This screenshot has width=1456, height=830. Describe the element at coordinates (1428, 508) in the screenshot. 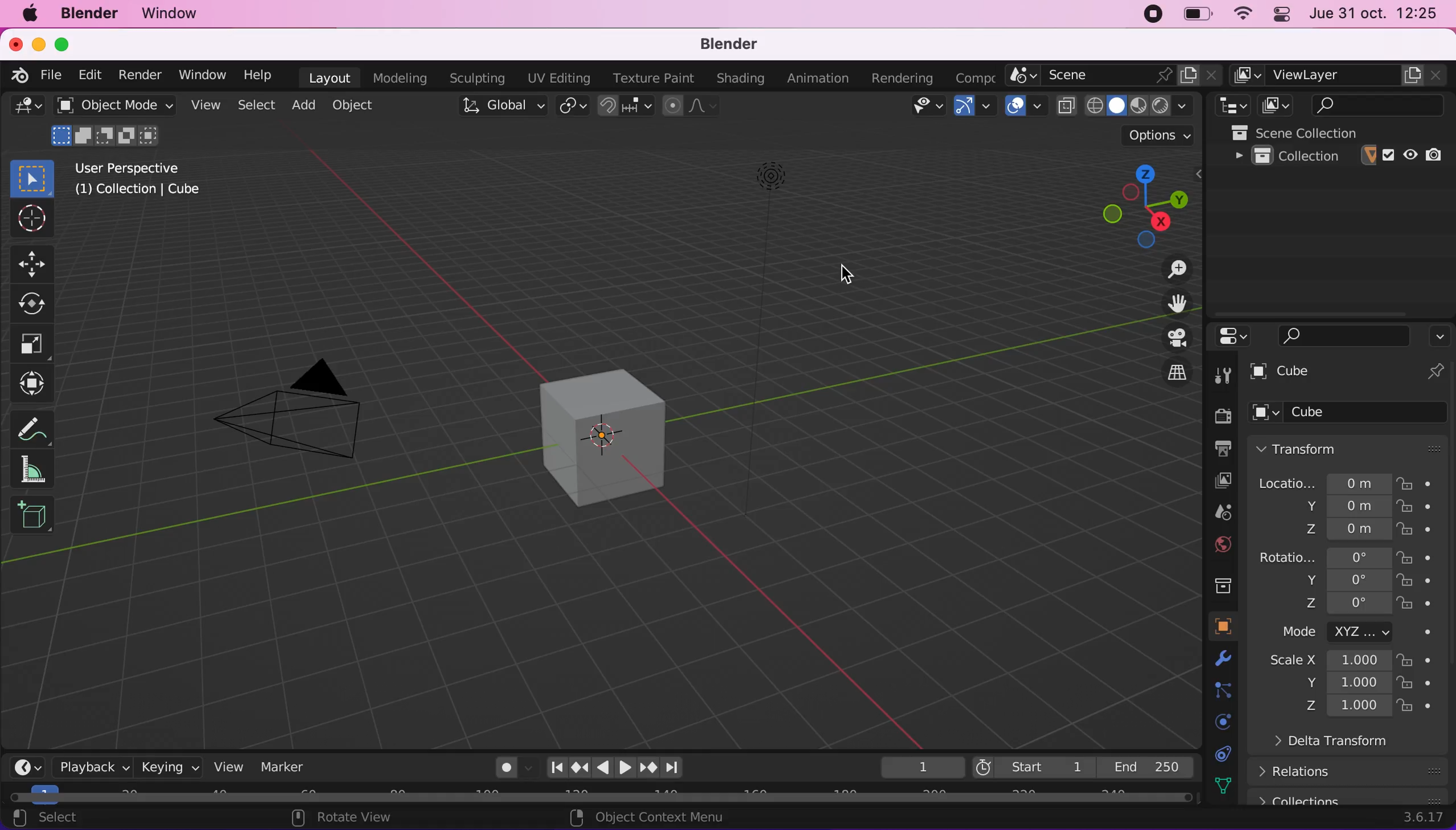

I see `lock` at that location.